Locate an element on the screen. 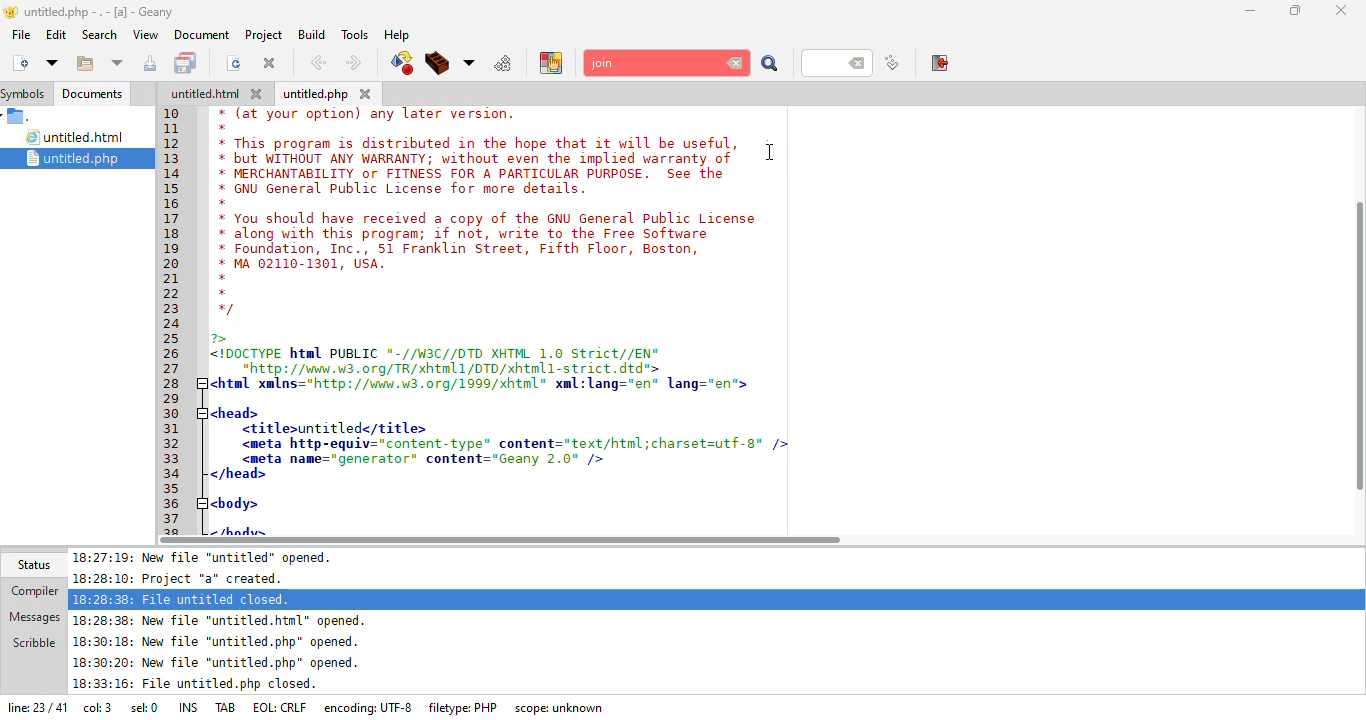 The height and width of the screenshot is (720, 1366). 13 is located at coordinates (172, 158).